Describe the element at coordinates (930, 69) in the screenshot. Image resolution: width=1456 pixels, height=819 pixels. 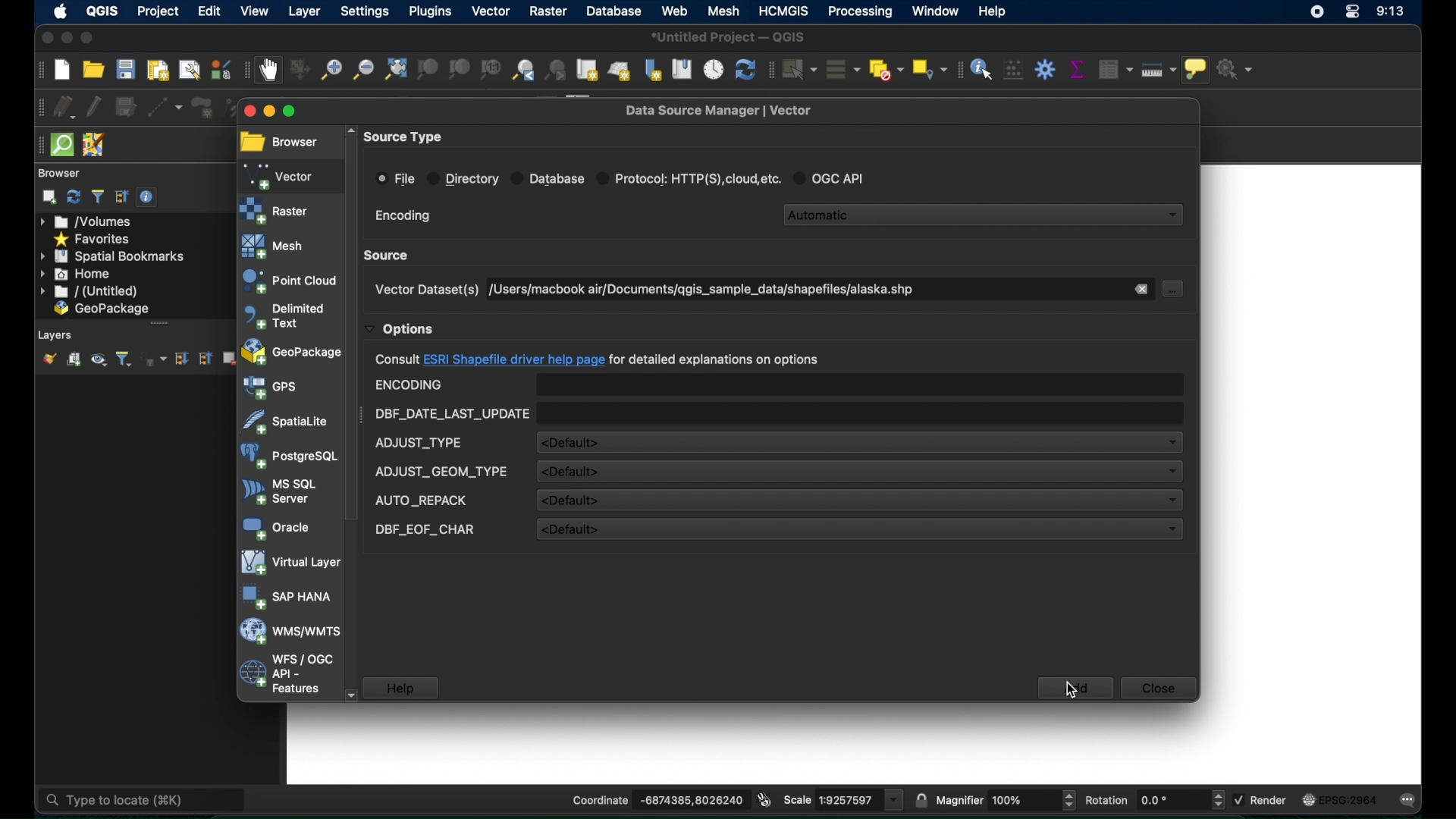
I see `select by location` at that location.